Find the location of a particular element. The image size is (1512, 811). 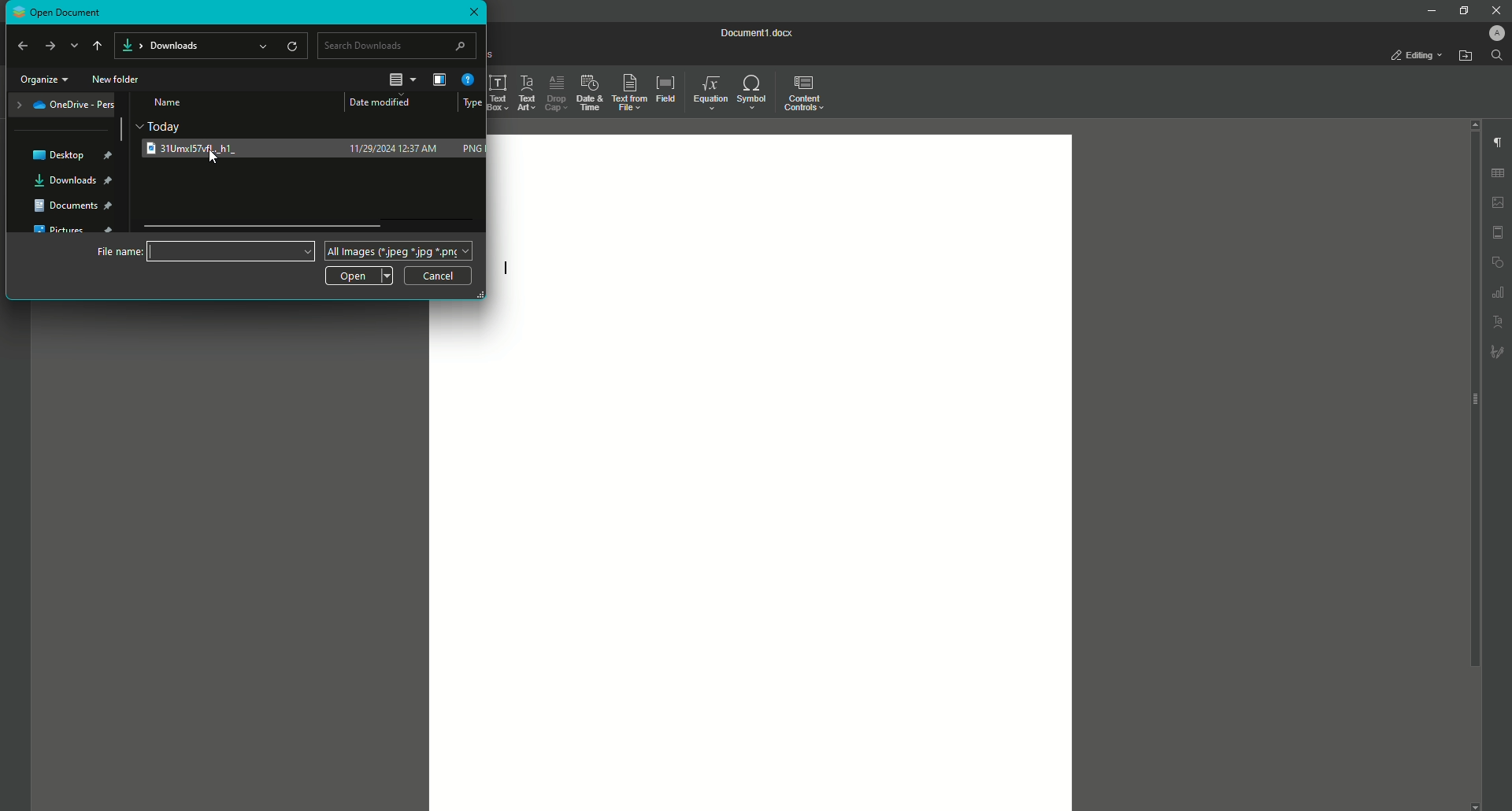

OneDrive - Personal is located at coordinates (65, 106).